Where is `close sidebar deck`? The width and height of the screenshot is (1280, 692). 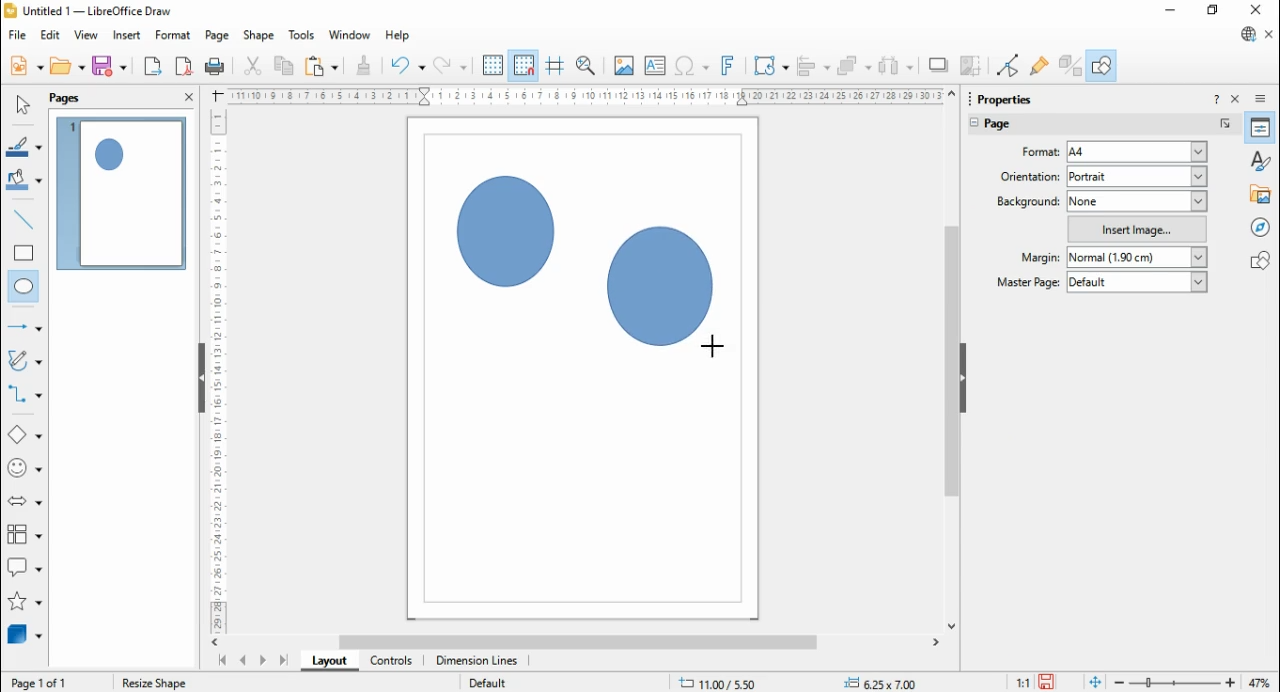 close sidebar deck is located at coordinates (1237, 98).